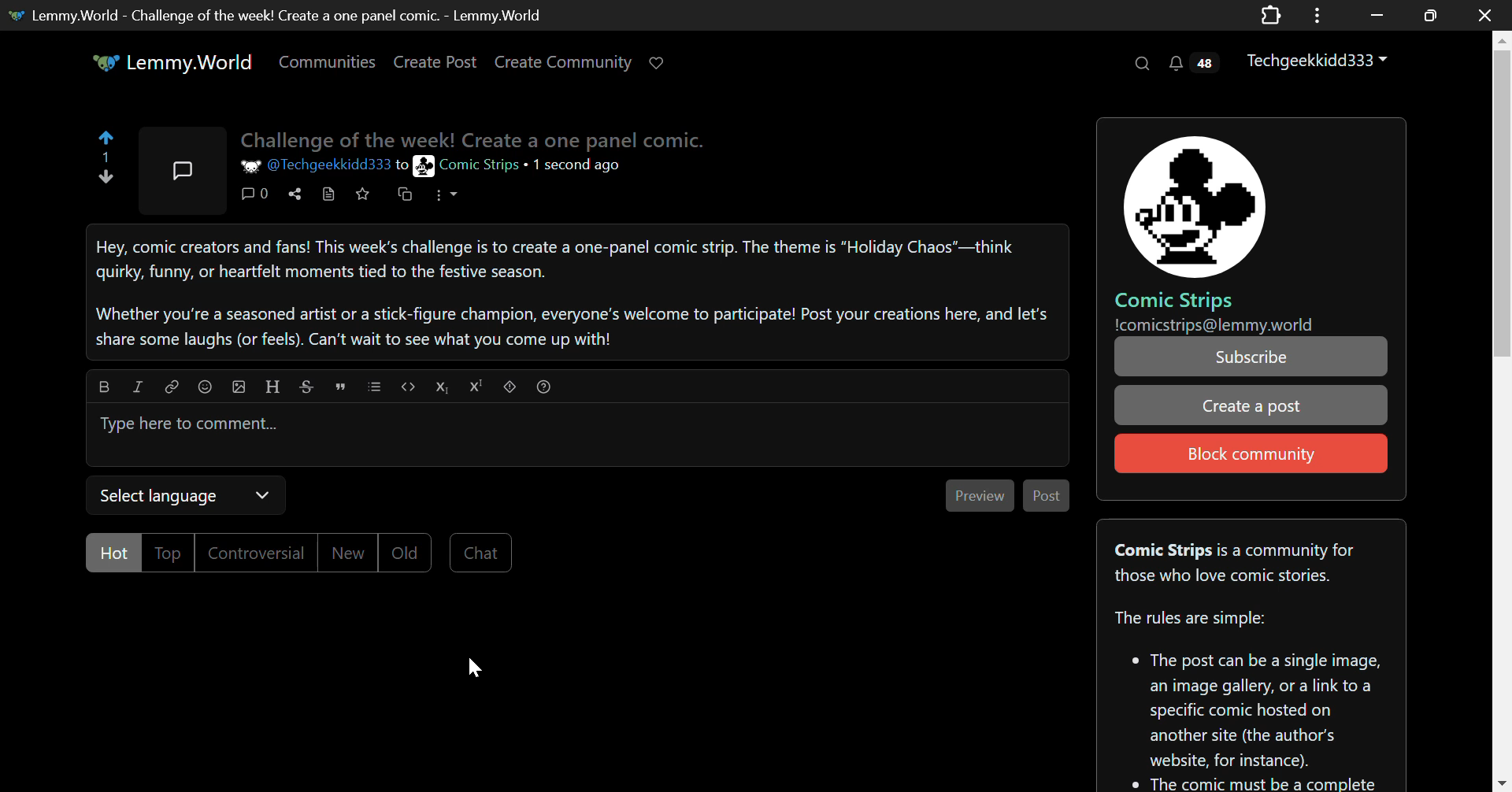  What do you see at coordinates (436, 65) in the screenshot?
I see `Create Post` at bounding box center [436, 65].